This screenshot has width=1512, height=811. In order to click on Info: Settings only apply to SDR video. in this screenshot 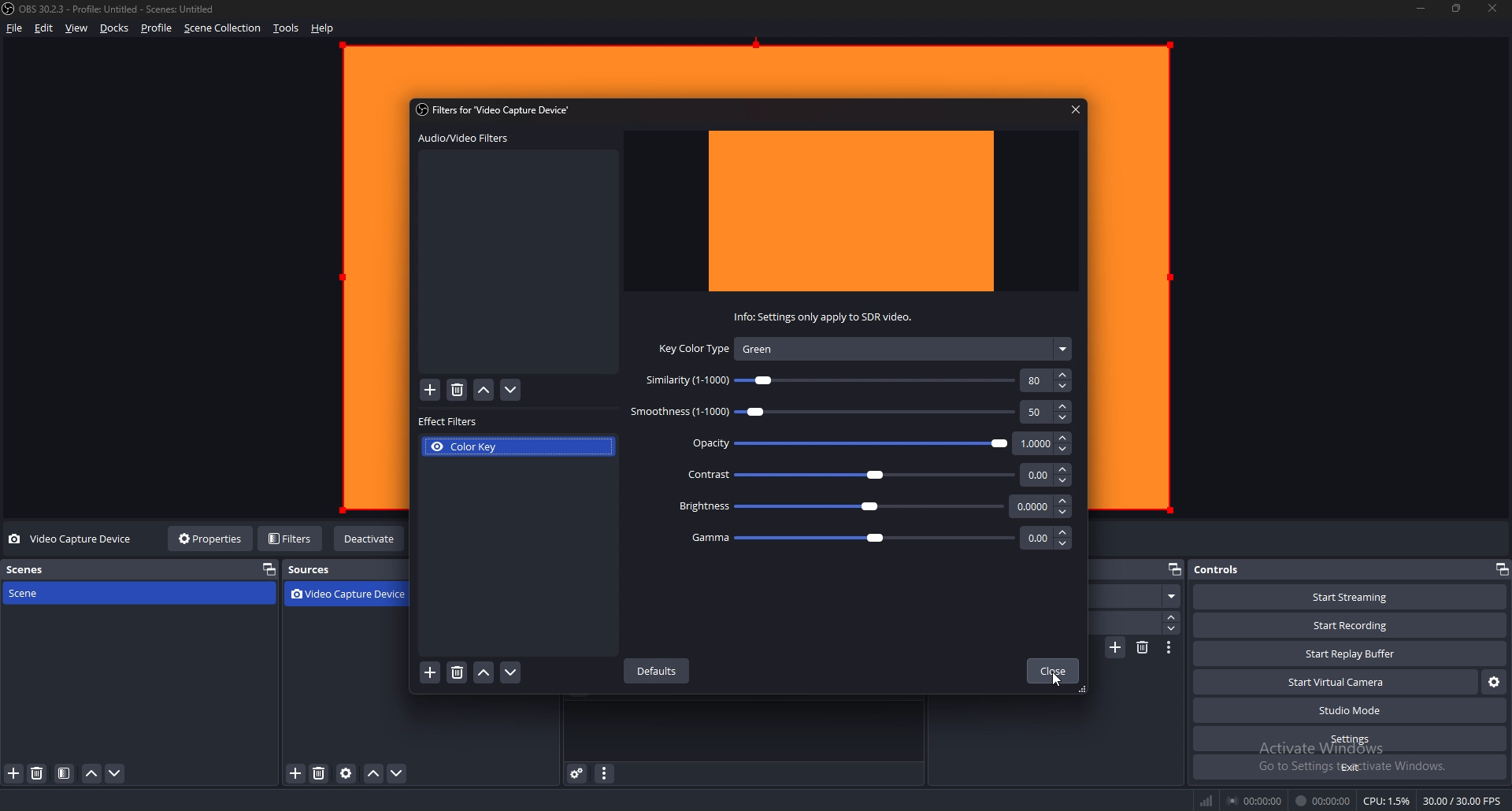, I will do `click(819, 317)`.